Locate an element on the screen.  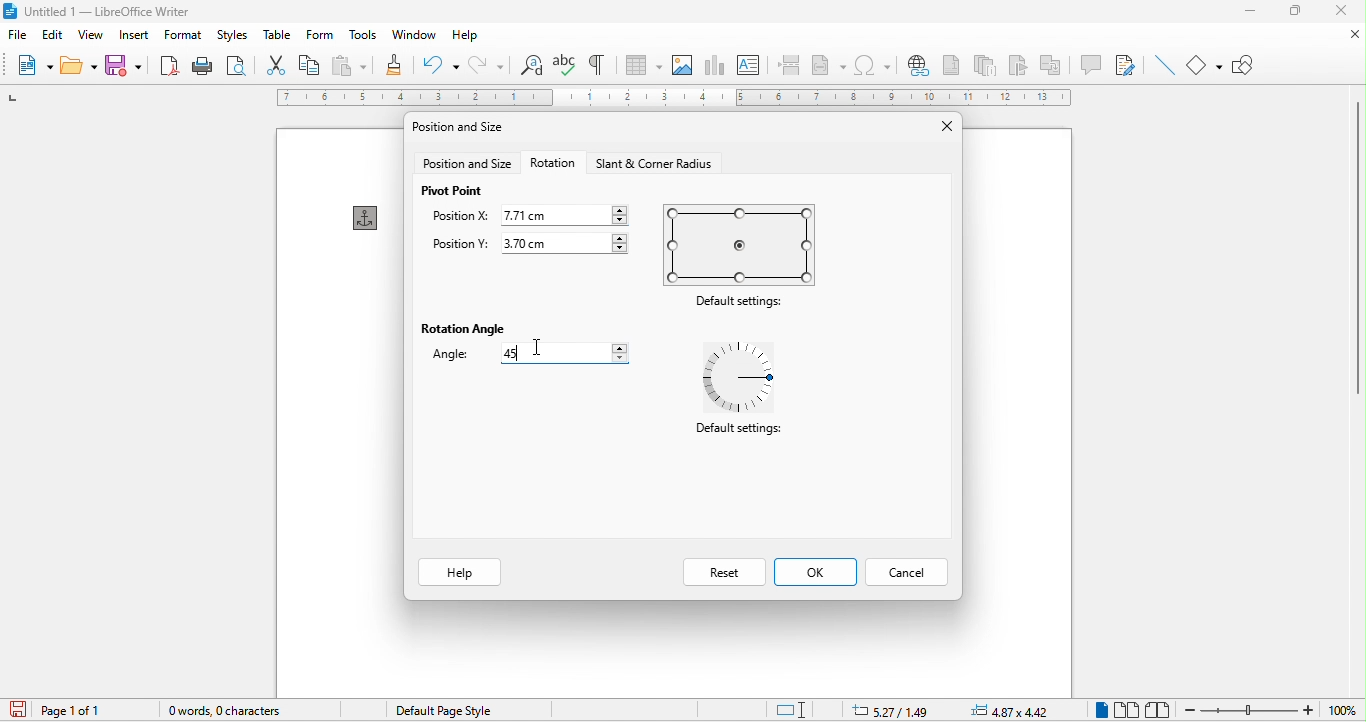
show draw function is located at coordinates (1245, 62).